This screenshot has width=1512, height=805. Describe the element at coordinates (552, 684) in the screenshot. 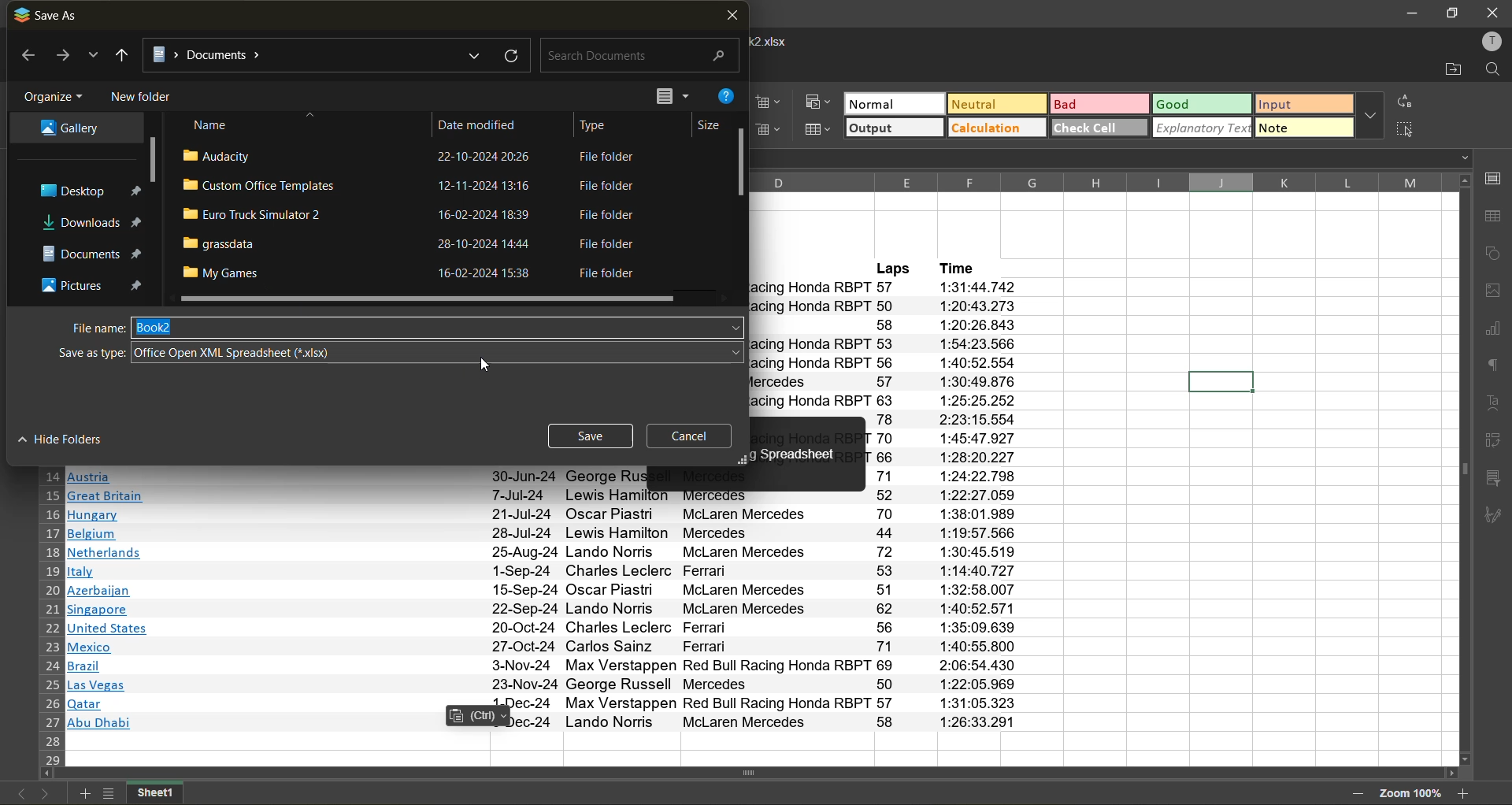

I see `text info` at that location.